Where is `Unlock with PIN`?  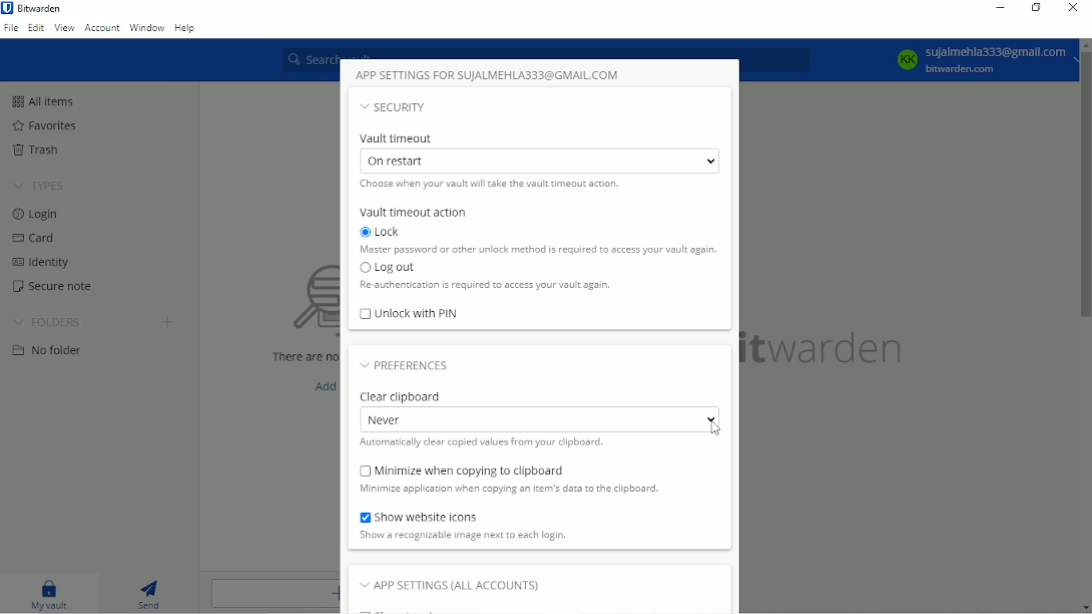 Unlock with PIN is located at coordinates (410, 316).